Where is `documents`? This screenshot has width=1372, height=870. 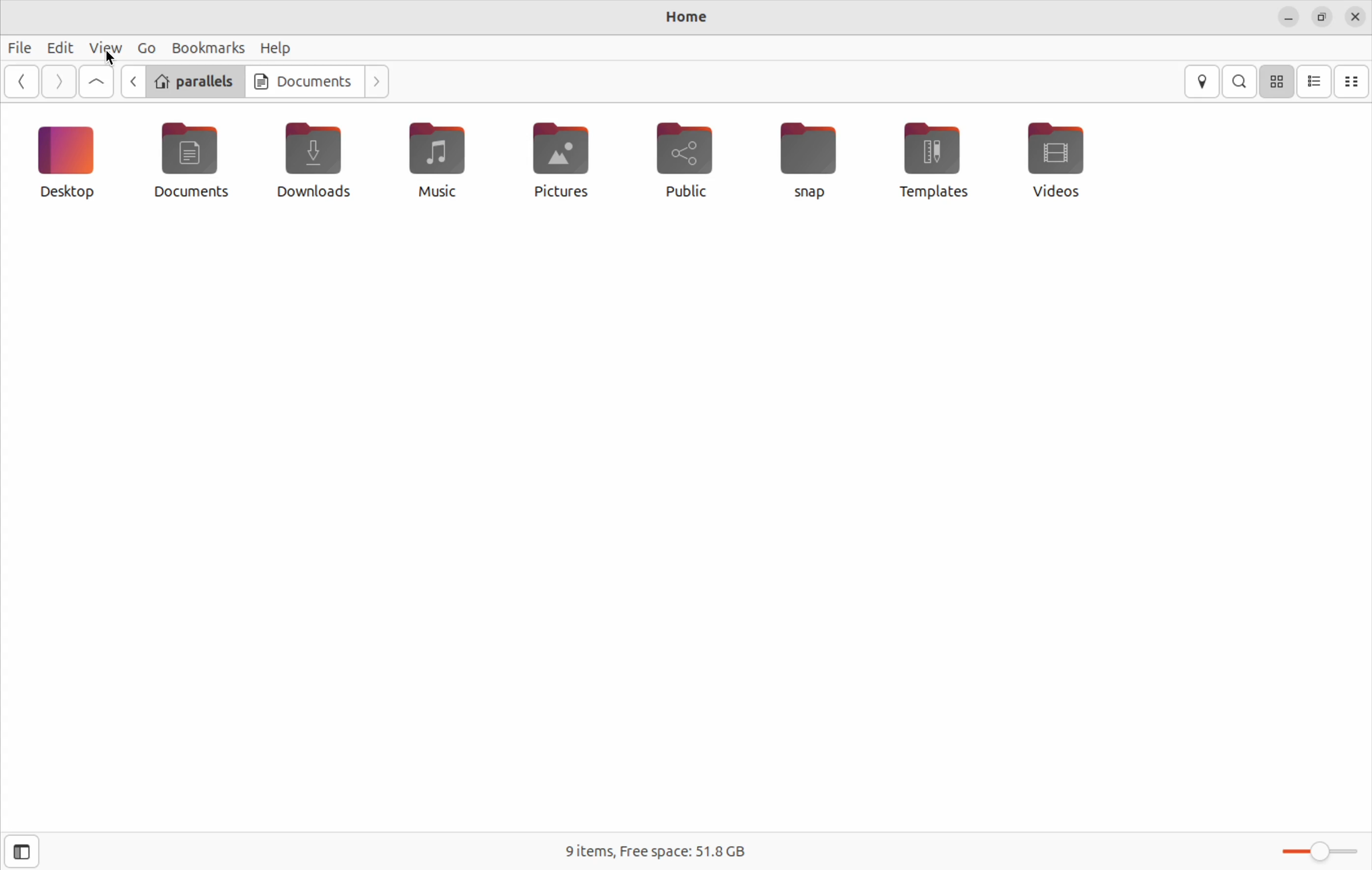
documents is located at coordinates (307, 81).